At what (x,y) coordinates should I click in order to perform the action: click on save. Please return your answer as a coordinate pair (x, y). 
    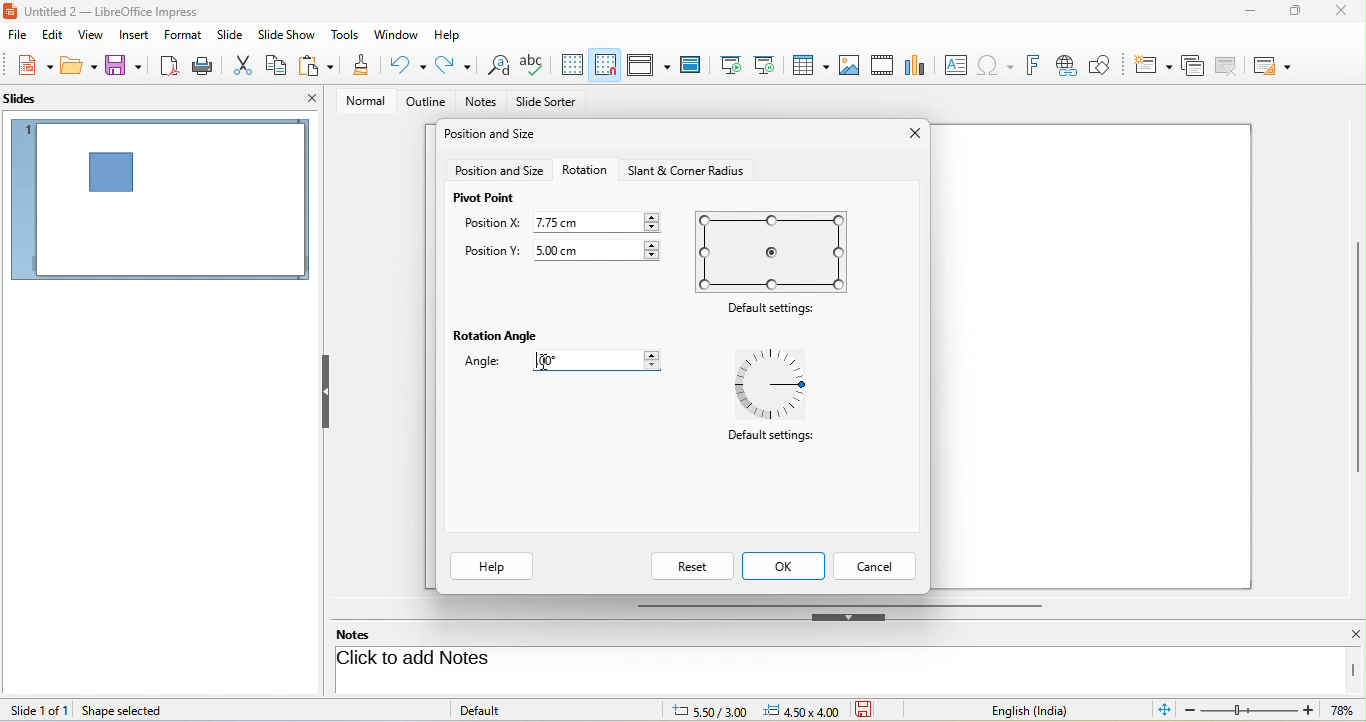
    Looking at the image, I should click on (125, 66).